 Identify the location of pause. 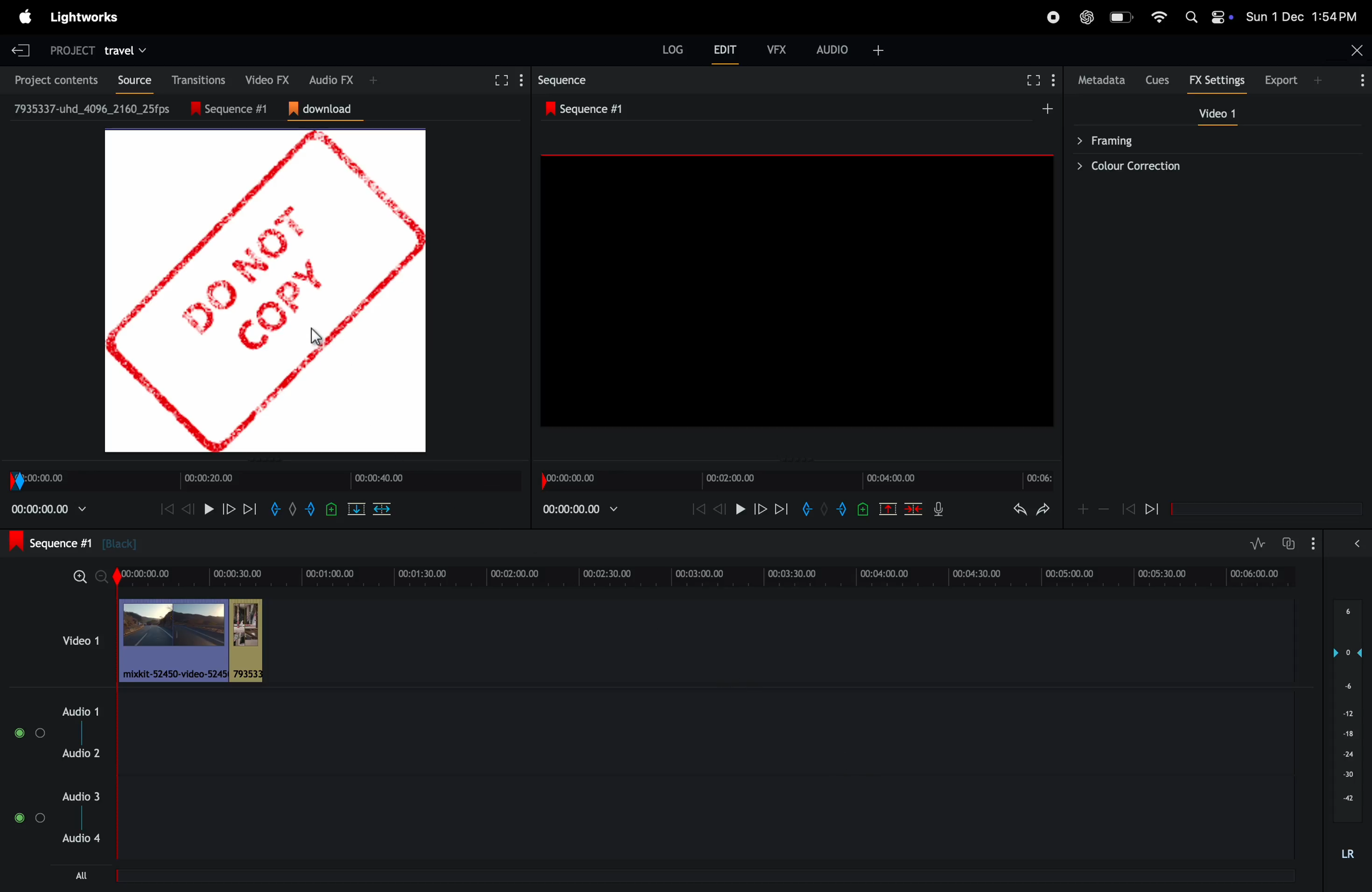
(209, 509).